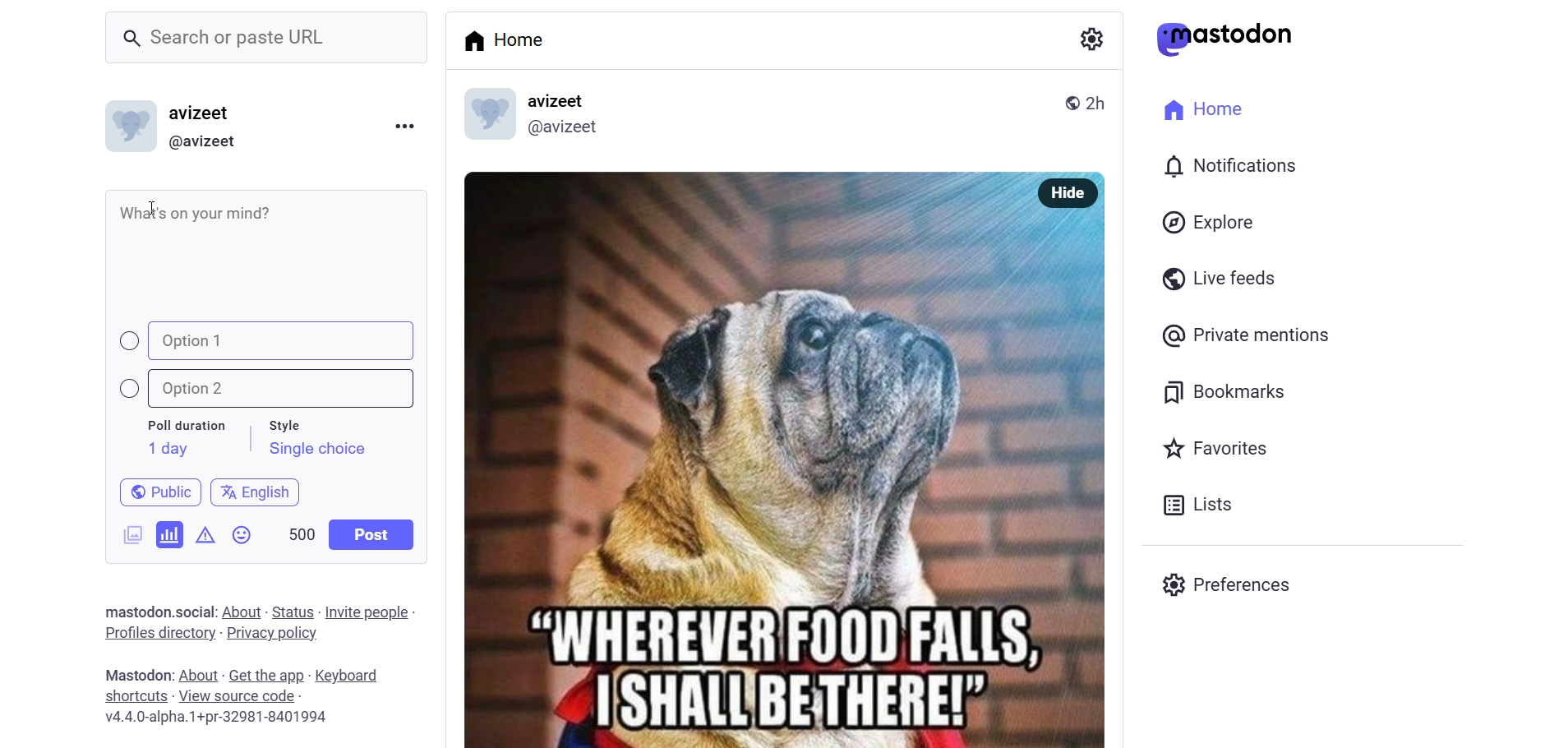 The height and width of the screenshot is (748, 1568). I want to click on style, so click(293, 422).